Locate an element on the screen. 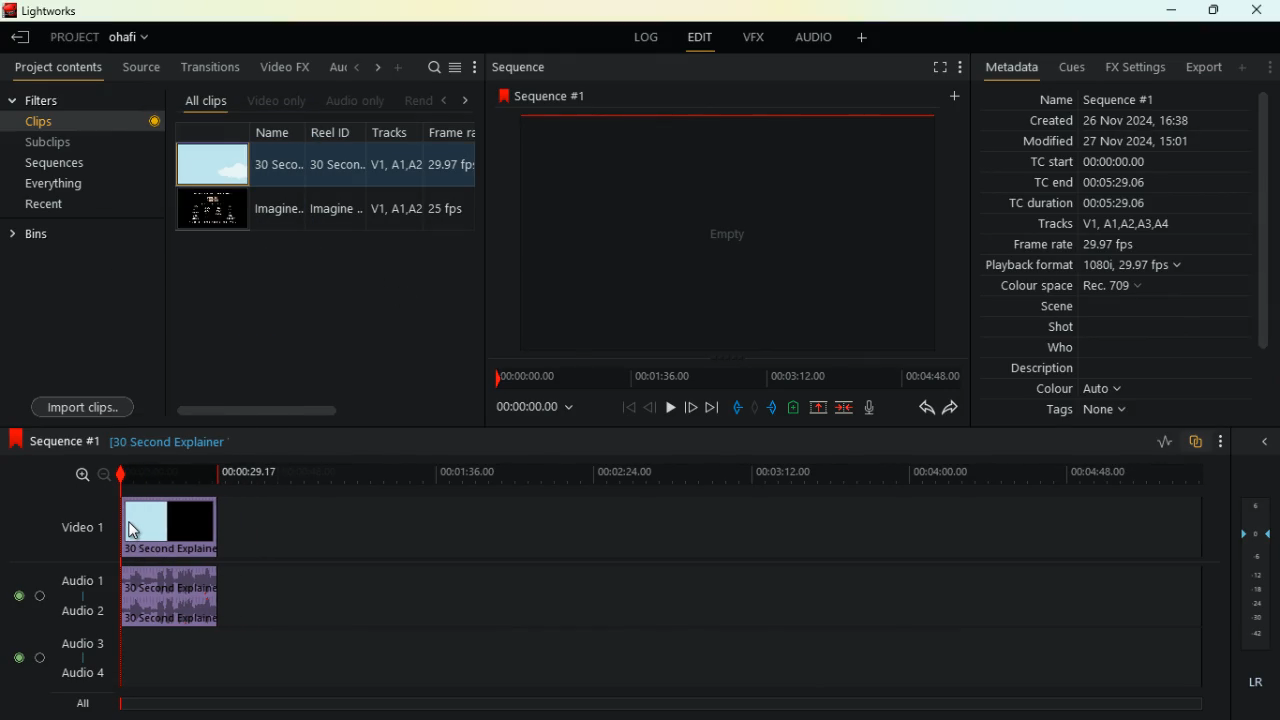 The width and height of the screenshot is (1280, 720). rate is located at coordinates (1162, 440).